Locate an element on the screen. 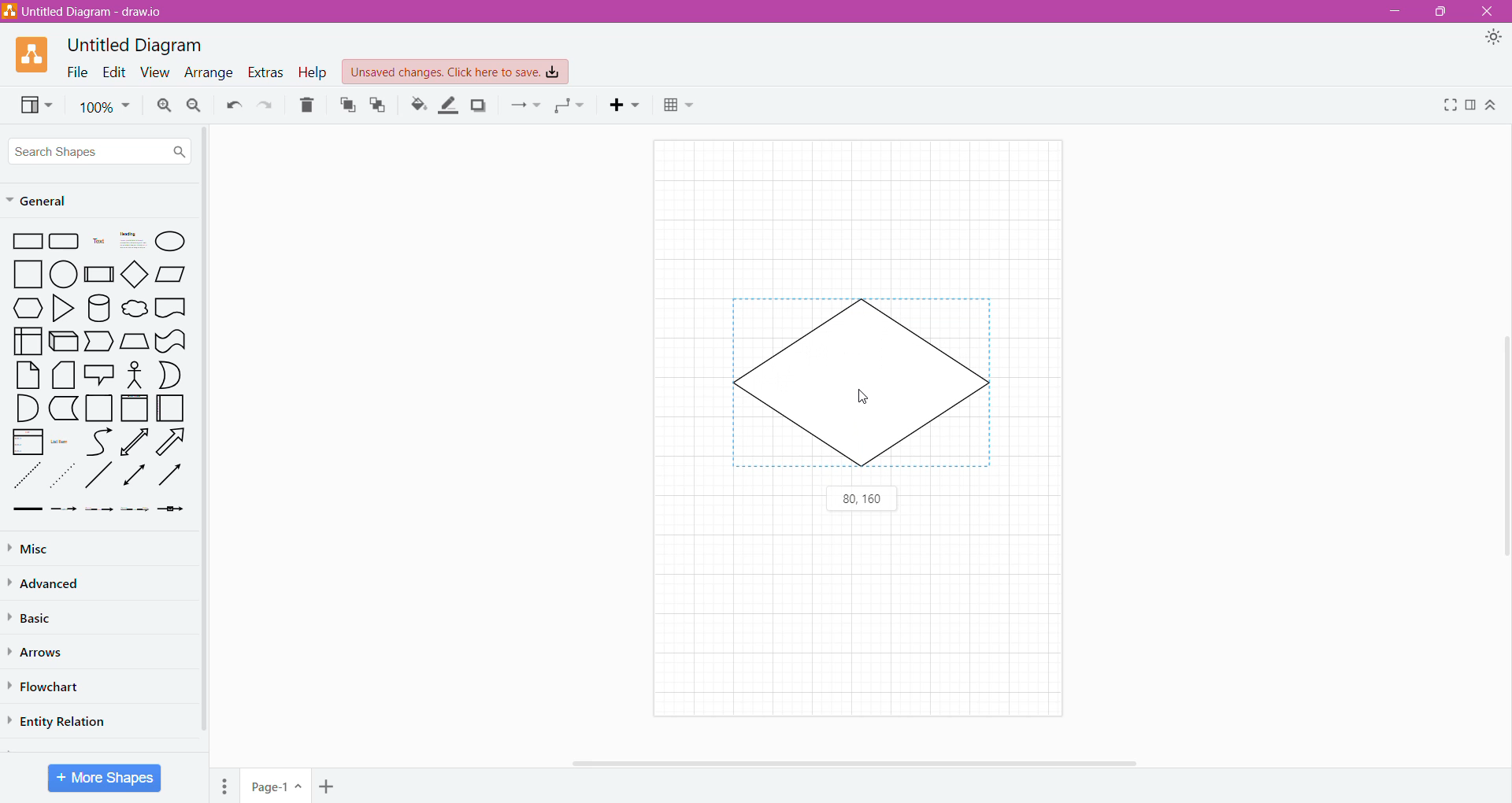 This screenshot has width=1512, height=803. Actor is located at coordinates (133, 376).